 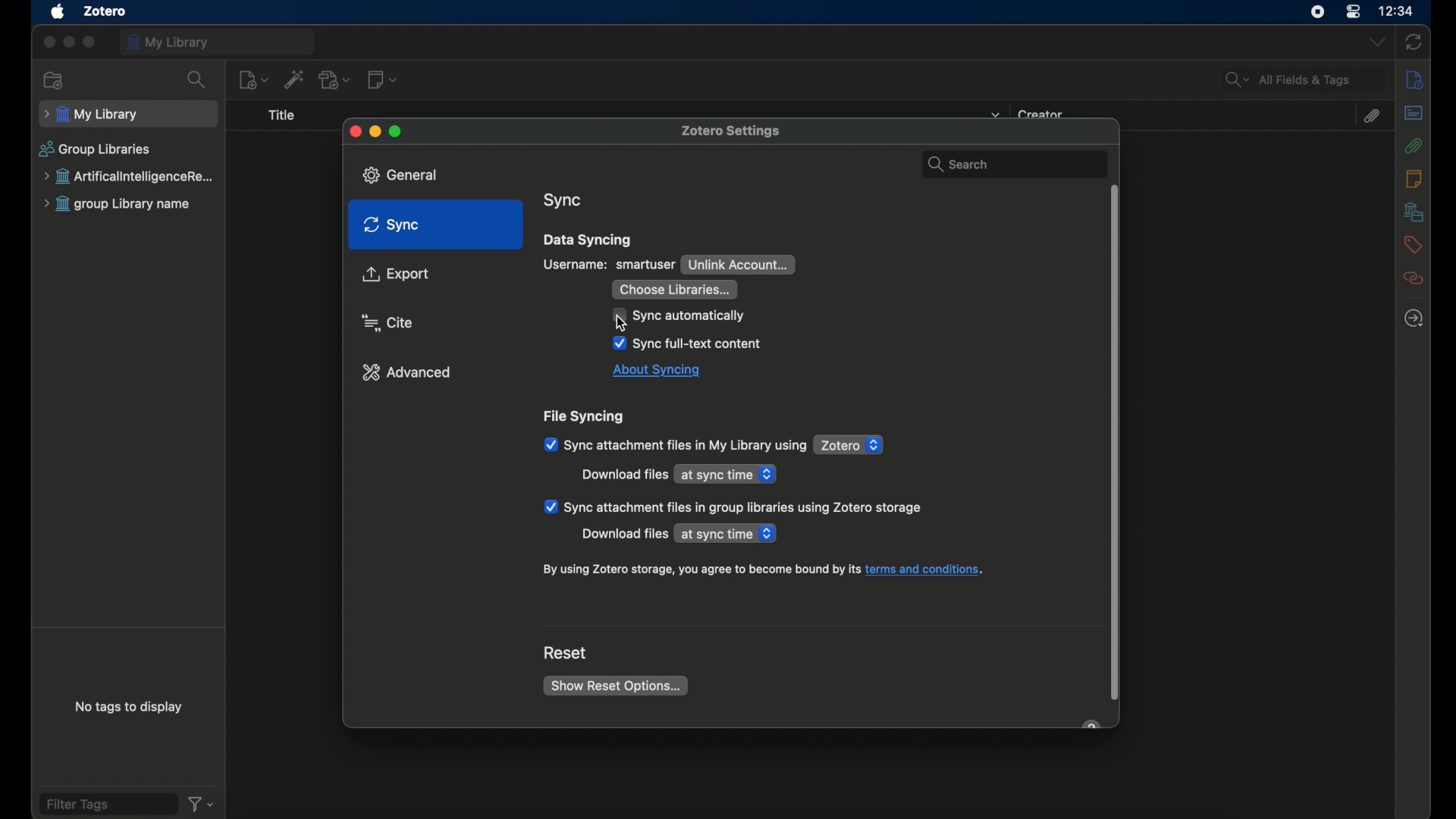 What do you see at coordinates (95, 149) in the screenshot?
I see `group libraries` at bounding box center [95, 149].